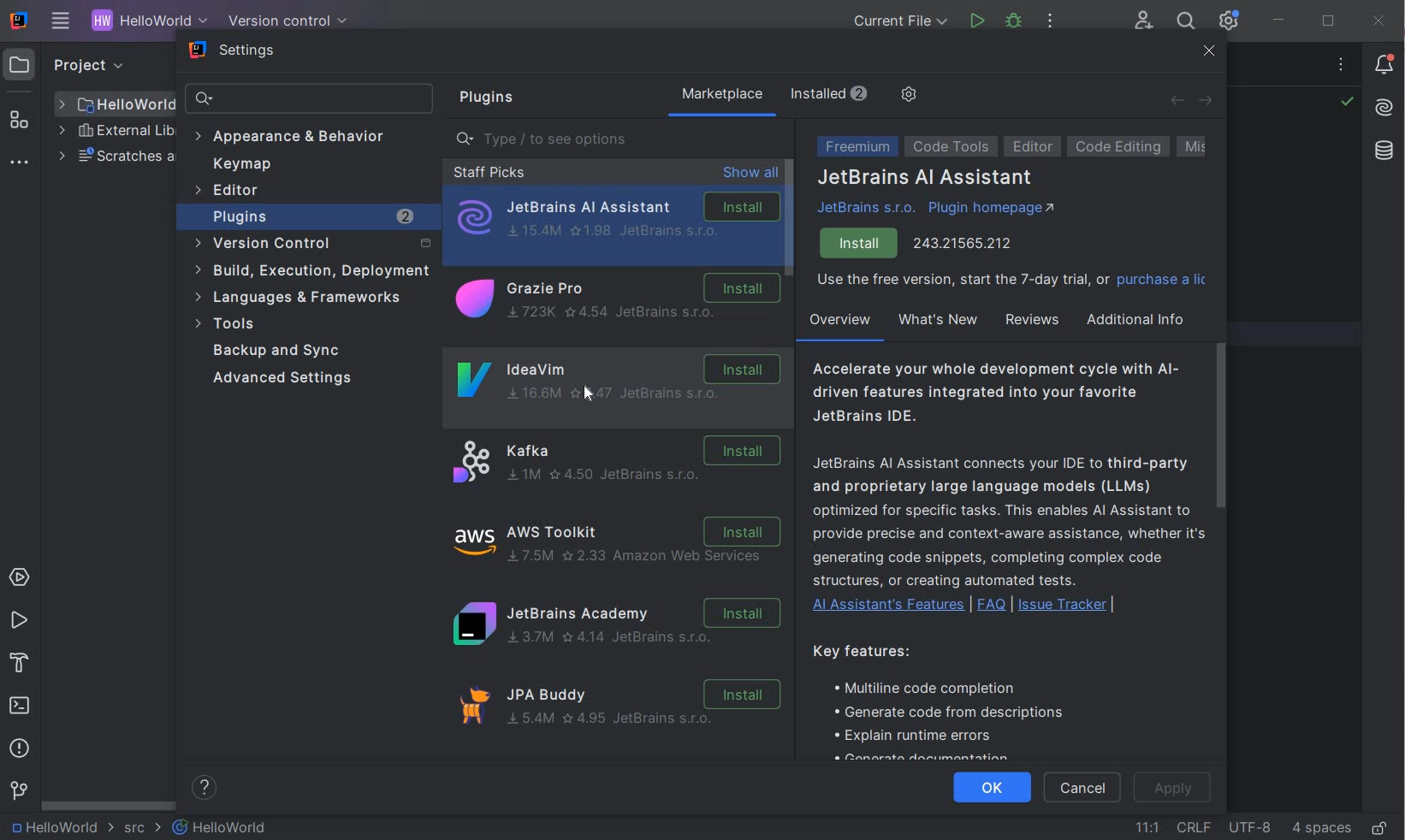 This screenshot has height=840, width=1405. What do you see at coordinates (1173, 788) in the screenshot?
I see `APPLY` at bounding box center [1173, 788].